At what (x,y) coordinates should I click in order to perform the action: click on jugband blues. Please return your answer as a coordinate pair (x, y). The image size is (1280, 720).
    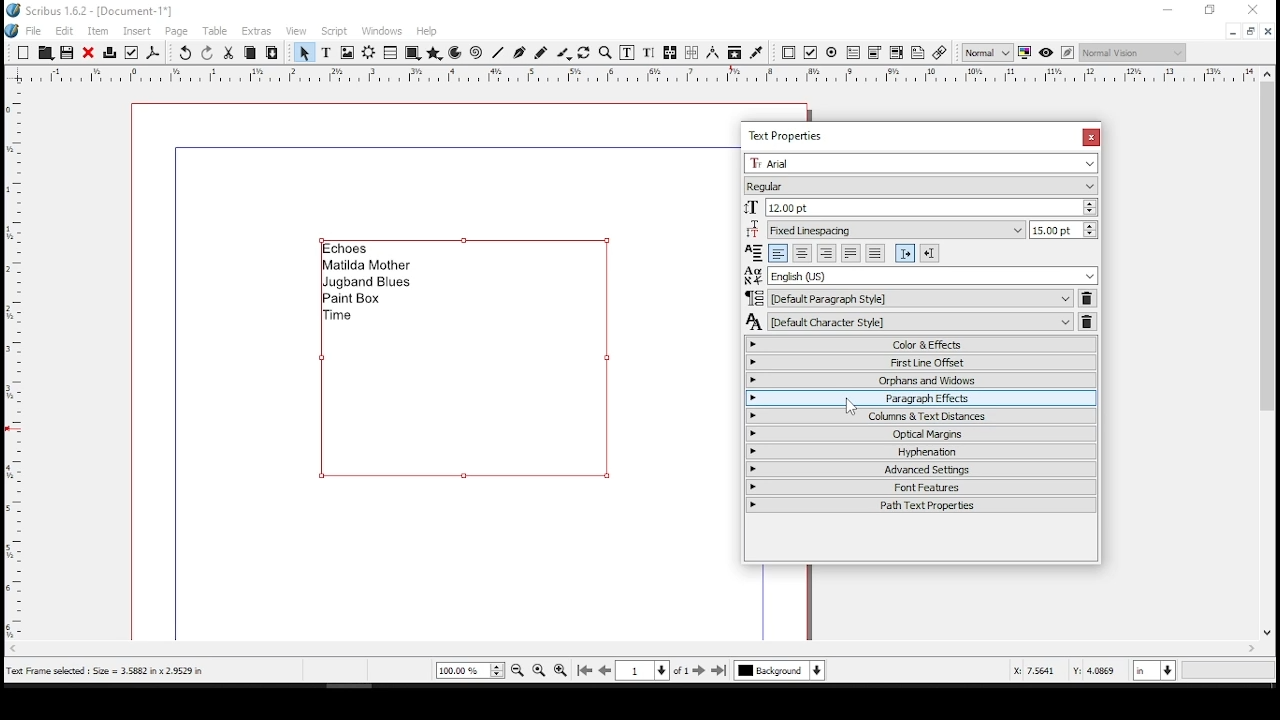
    Looking at the image, I should click on (369, 284).